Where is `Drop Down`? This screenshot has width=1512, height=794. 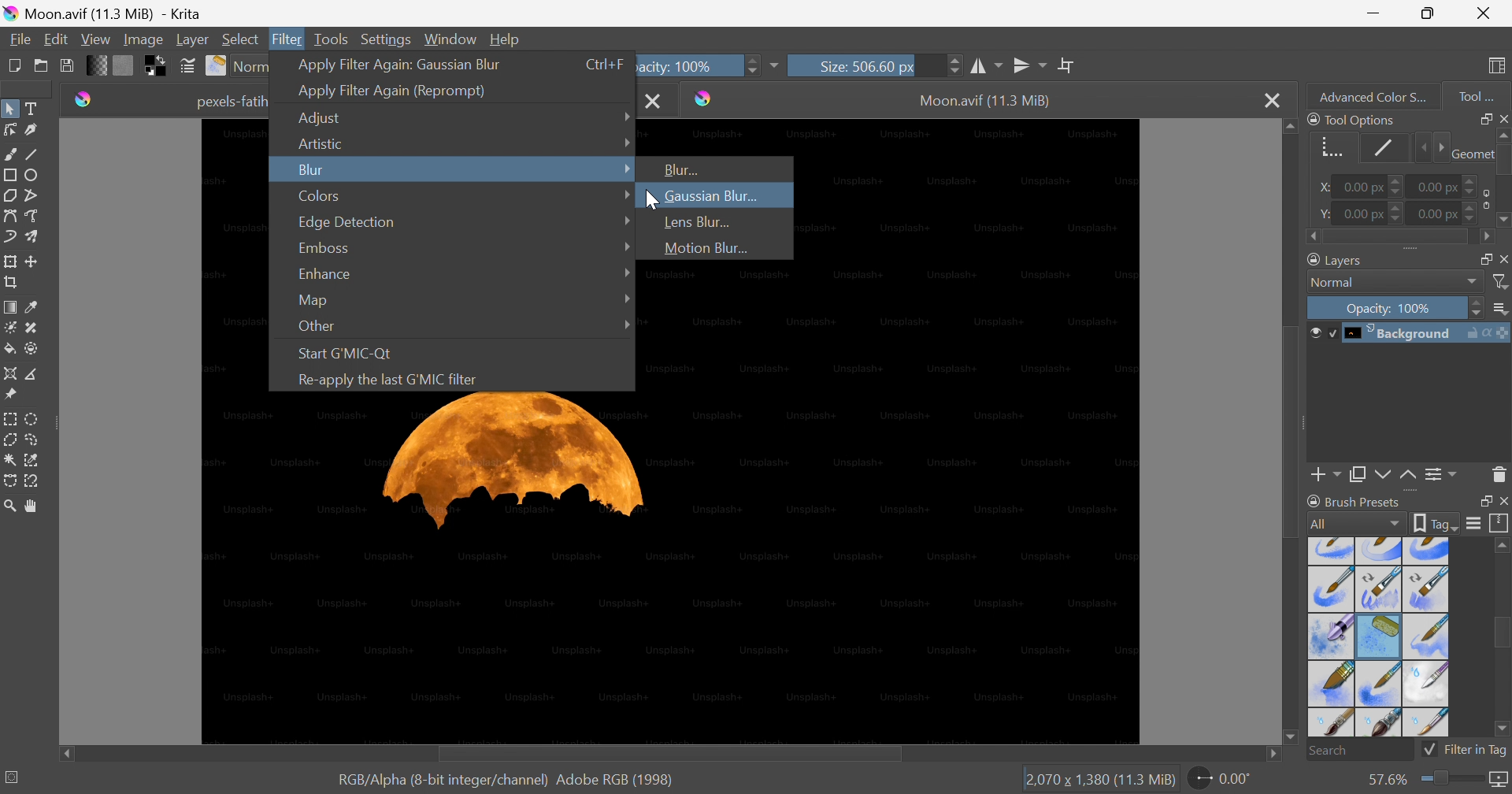
Drop Down is located at coordinates (624, 220).